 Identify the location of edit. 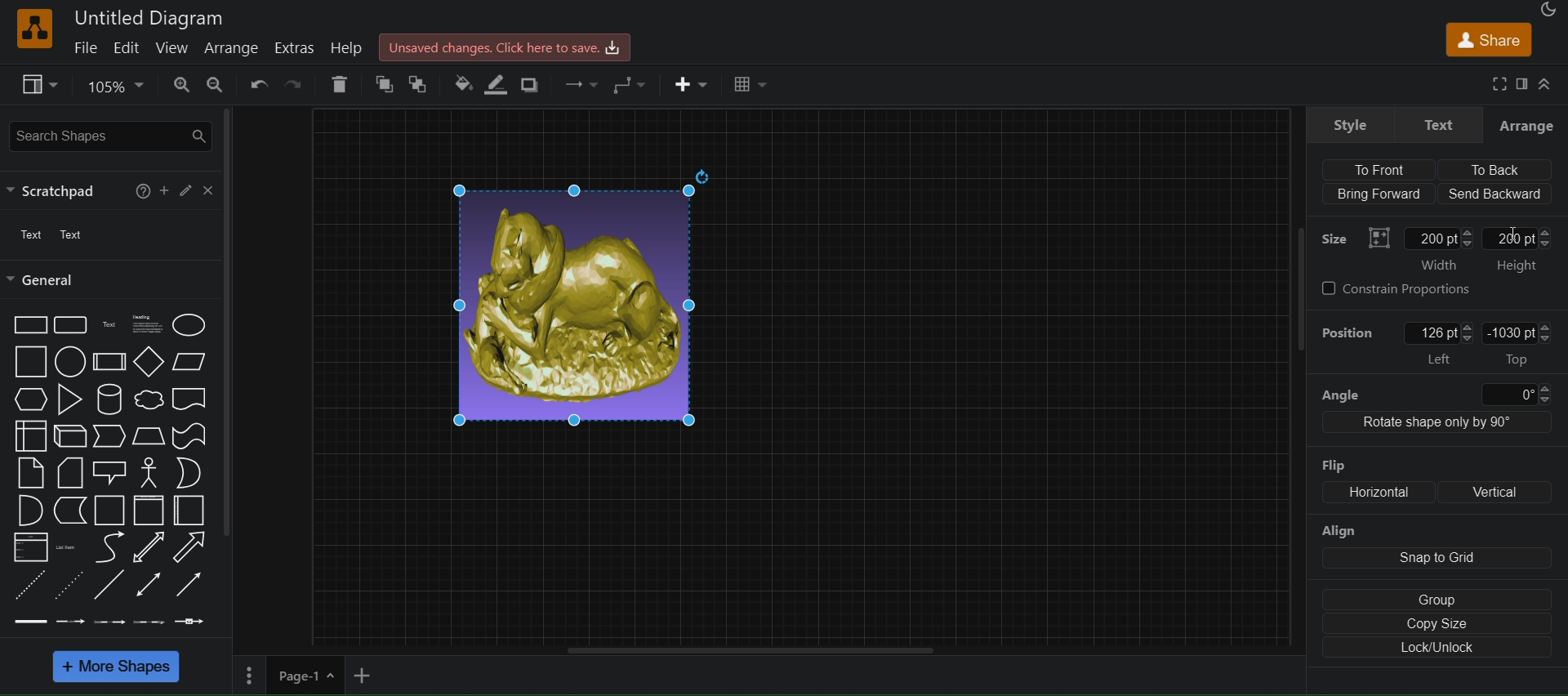
(185, 190).